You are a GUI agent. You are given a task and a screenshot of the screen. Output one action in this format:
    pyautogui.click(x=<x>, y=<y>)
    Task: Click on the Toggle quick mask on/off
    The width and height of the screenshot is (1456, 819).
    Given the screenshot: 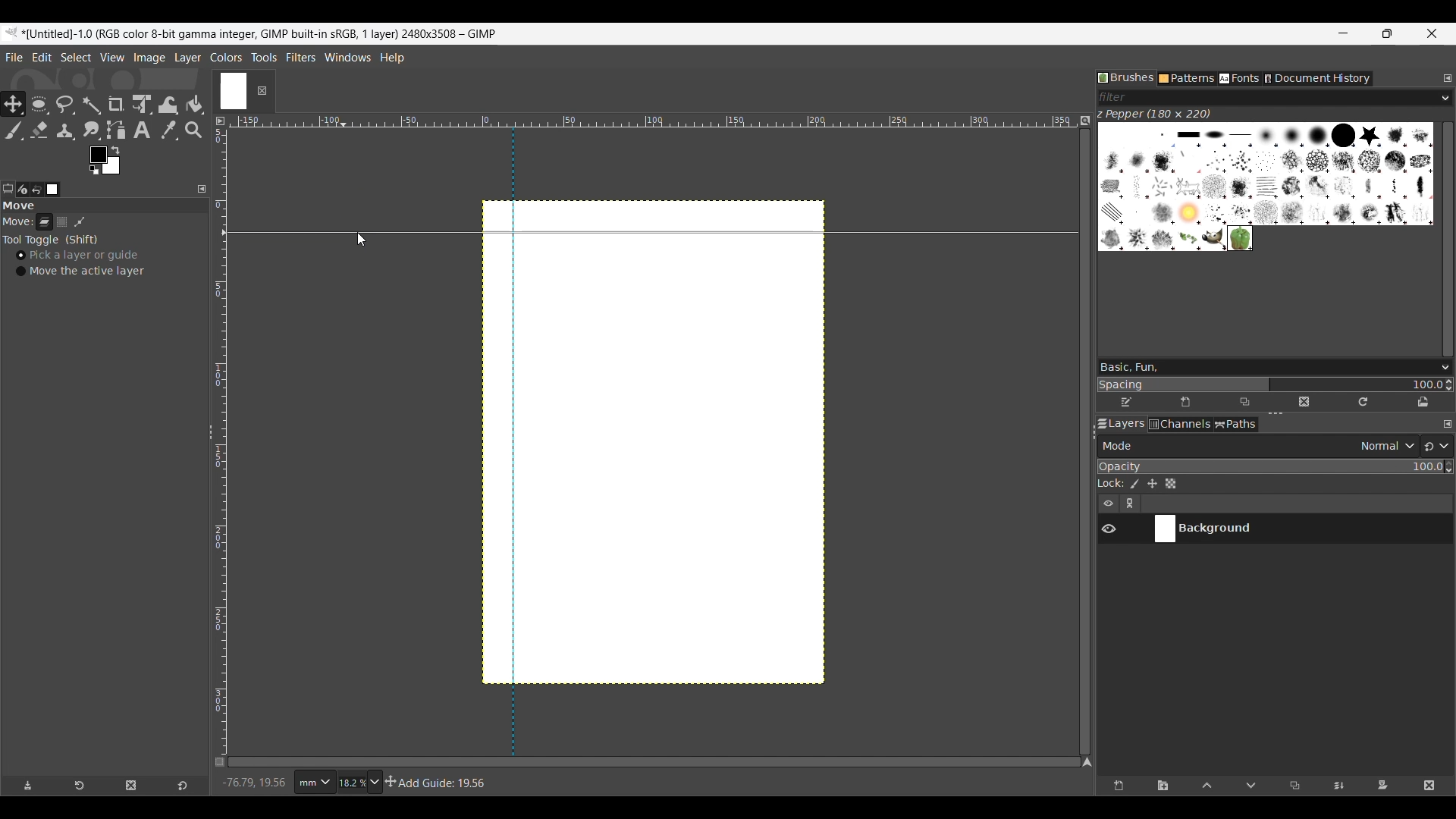 What is the action you would take?
    pyautogui.click(x=221, y=763)
    